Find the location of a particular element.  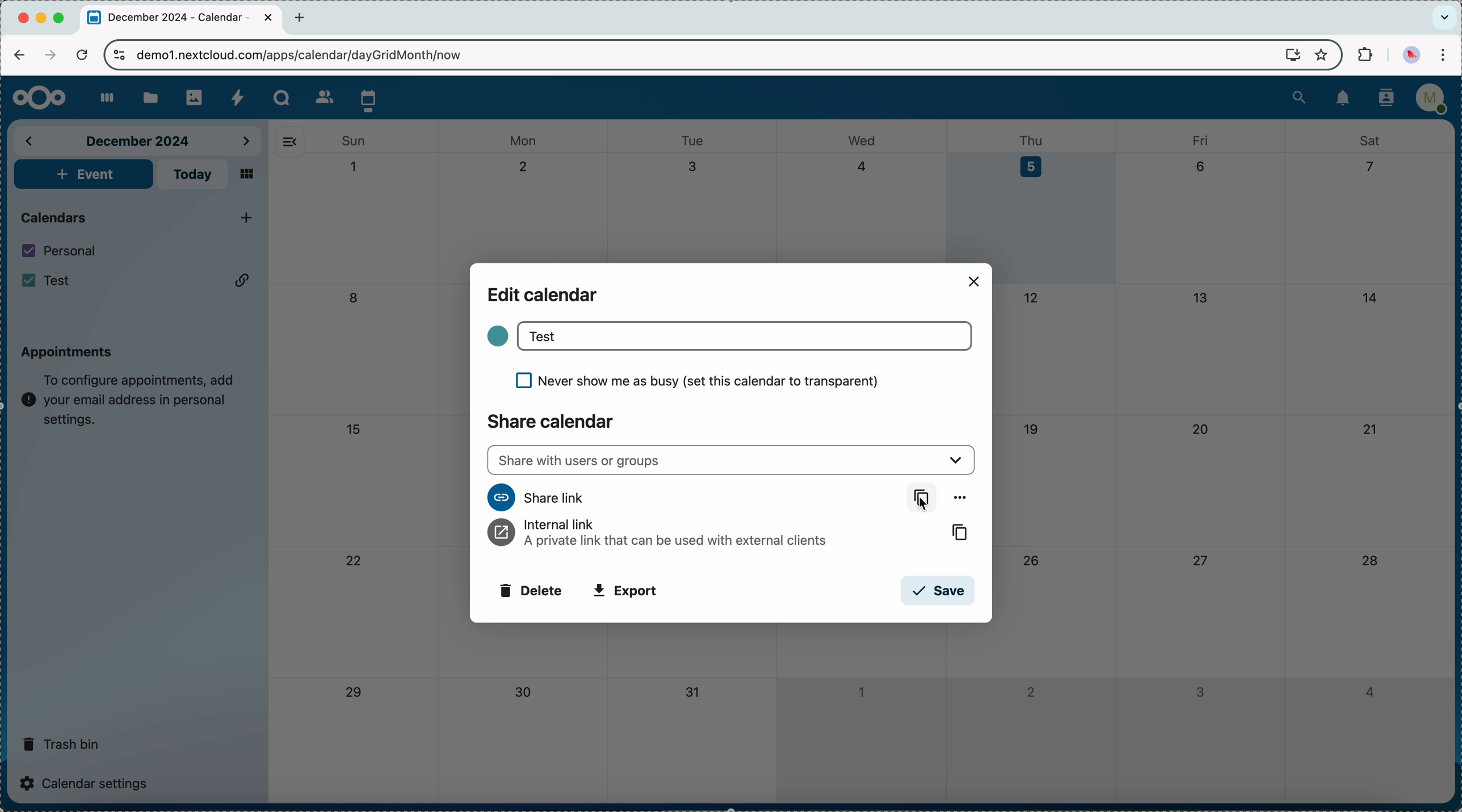

december 2024 is located at coordinates (140, 140).